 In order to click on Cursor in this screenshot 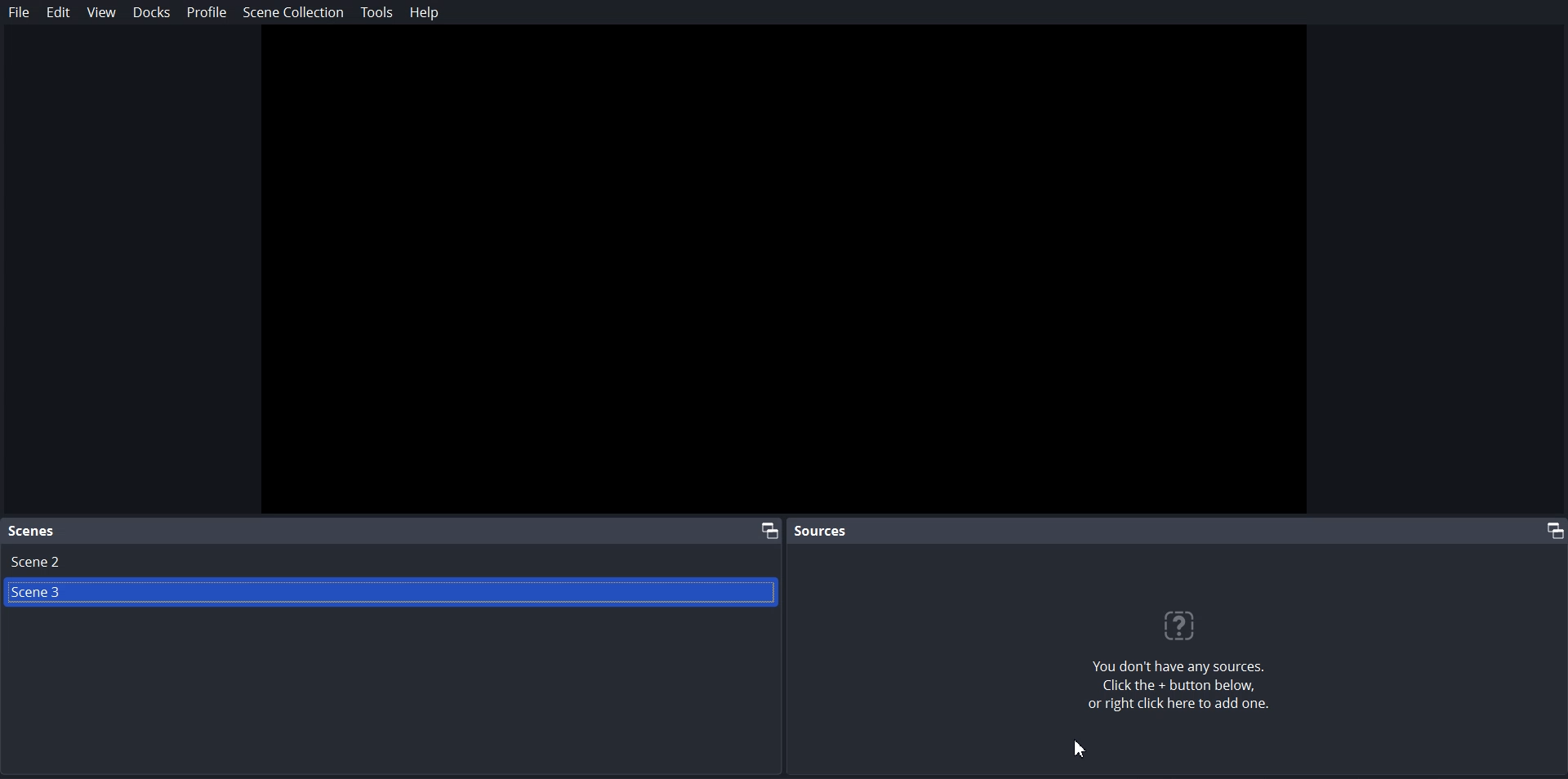, I will do `click(1080, 748)`.